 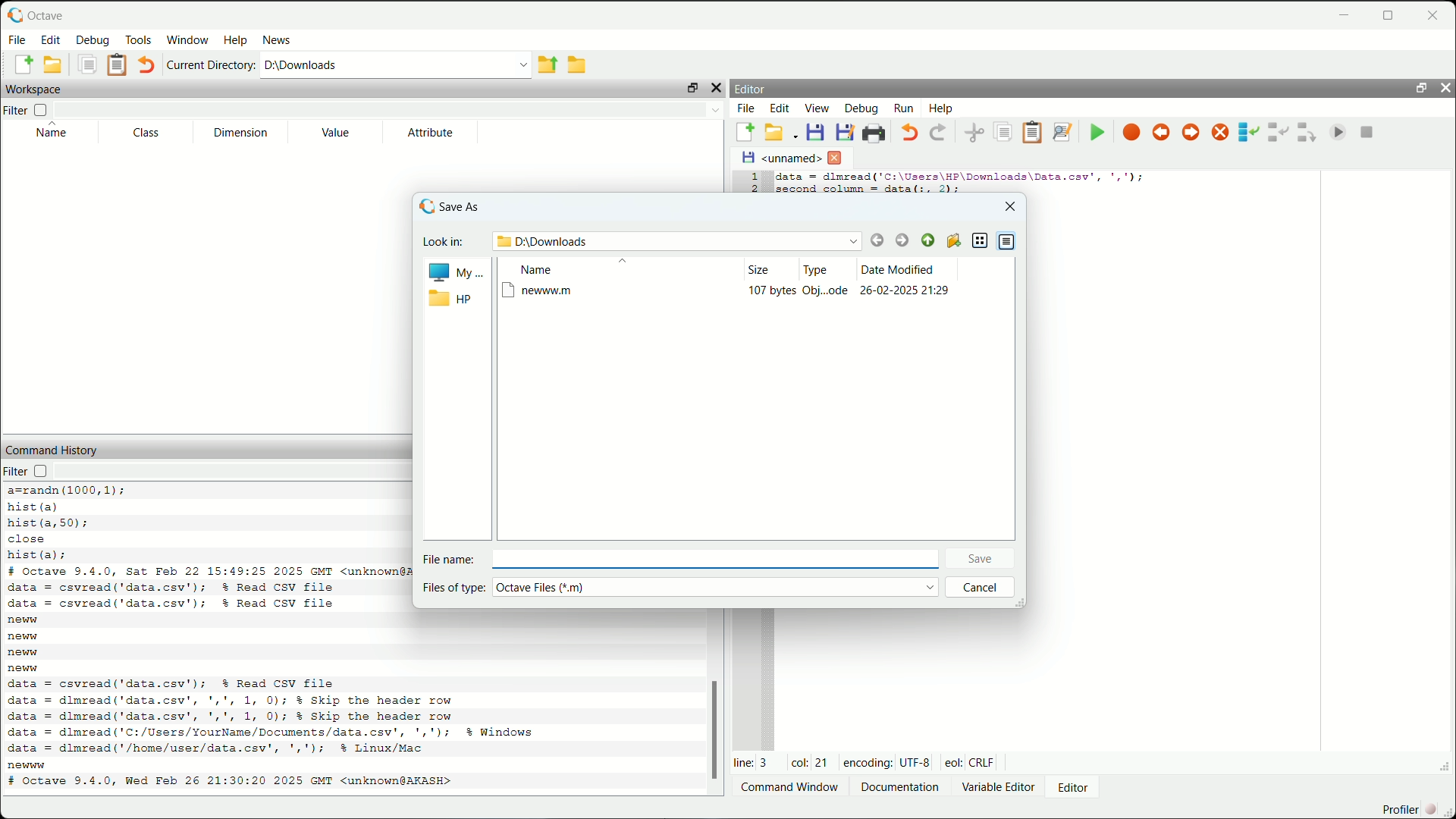 I want to click on new, so click(x=35, y=766).